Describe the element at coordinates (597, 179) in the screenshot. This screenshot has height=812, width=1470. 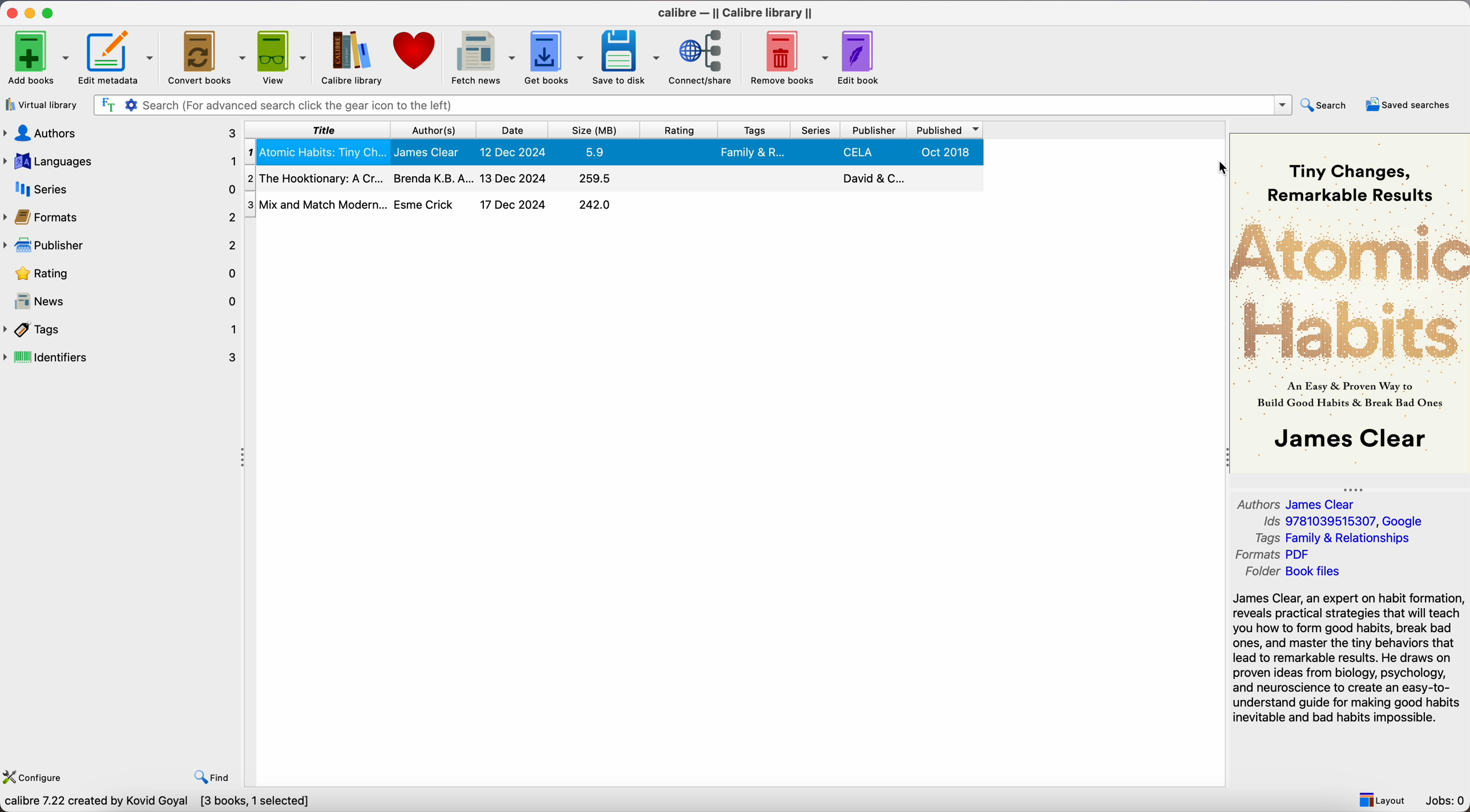
I see `259.5` at that location.